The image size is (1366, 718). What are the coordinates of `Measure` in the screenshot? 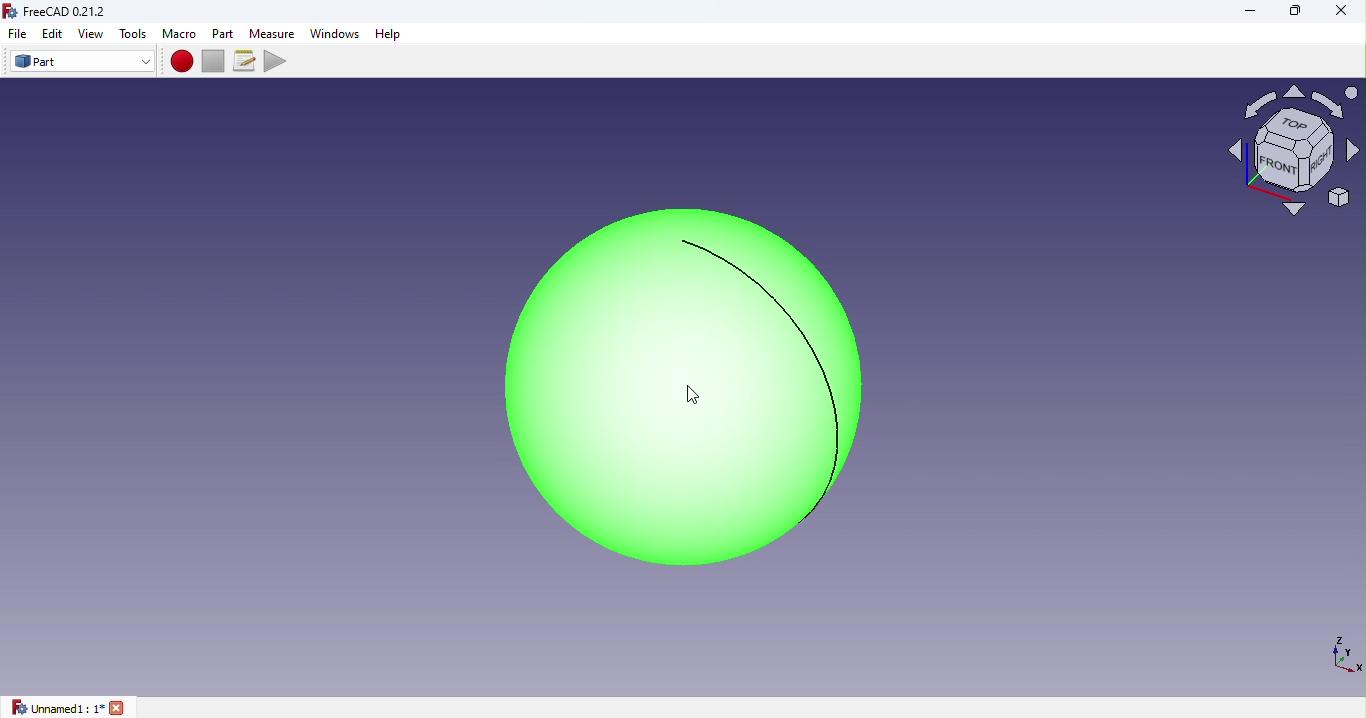 It's located at (272, 32).